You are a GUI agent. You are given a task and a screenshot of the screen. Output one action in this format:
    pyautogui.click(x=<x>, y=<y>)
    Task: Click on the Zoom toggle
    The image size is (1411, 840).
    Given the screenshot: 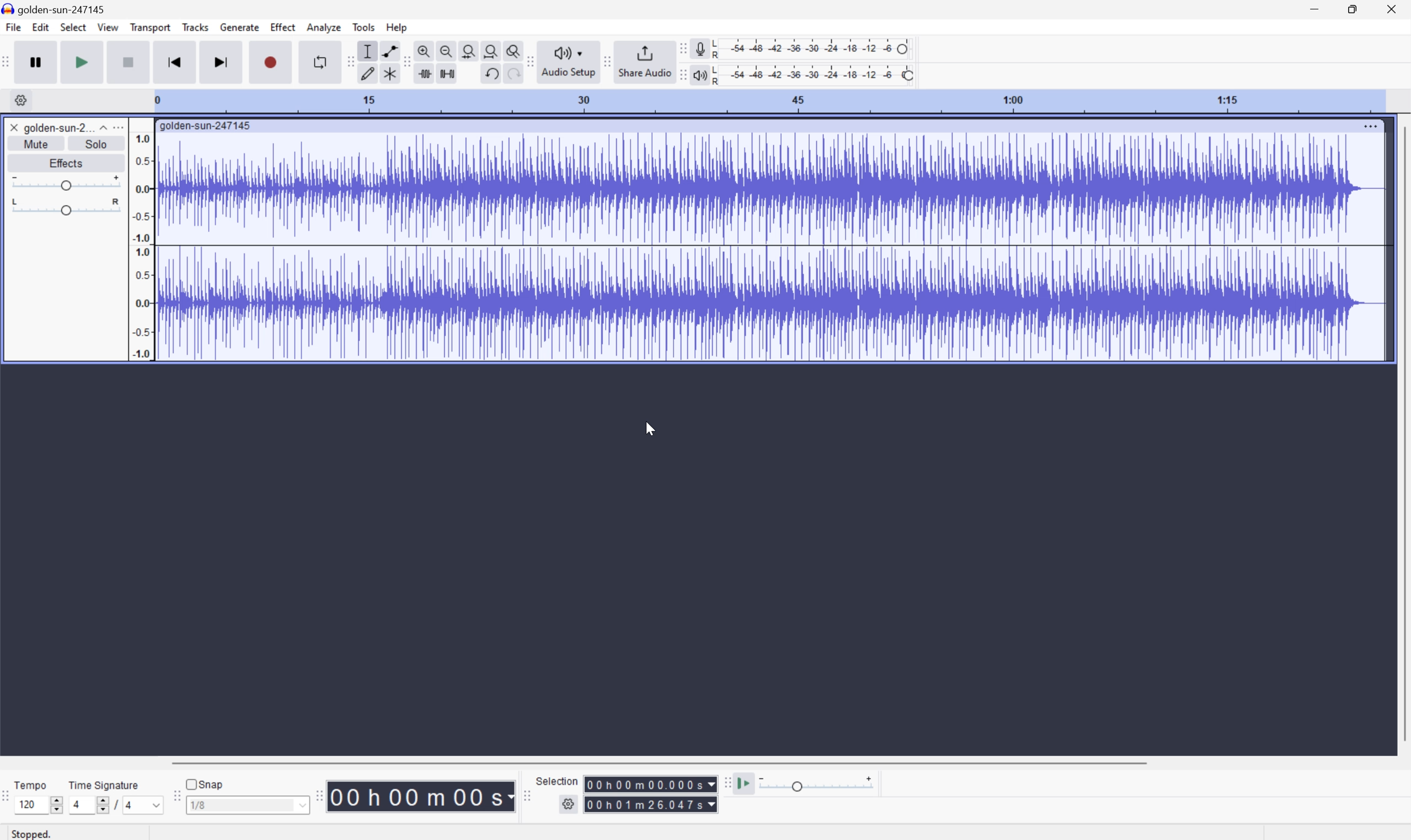 What is the action you would take?
    pyautogui.click(x=509, y=49)
    